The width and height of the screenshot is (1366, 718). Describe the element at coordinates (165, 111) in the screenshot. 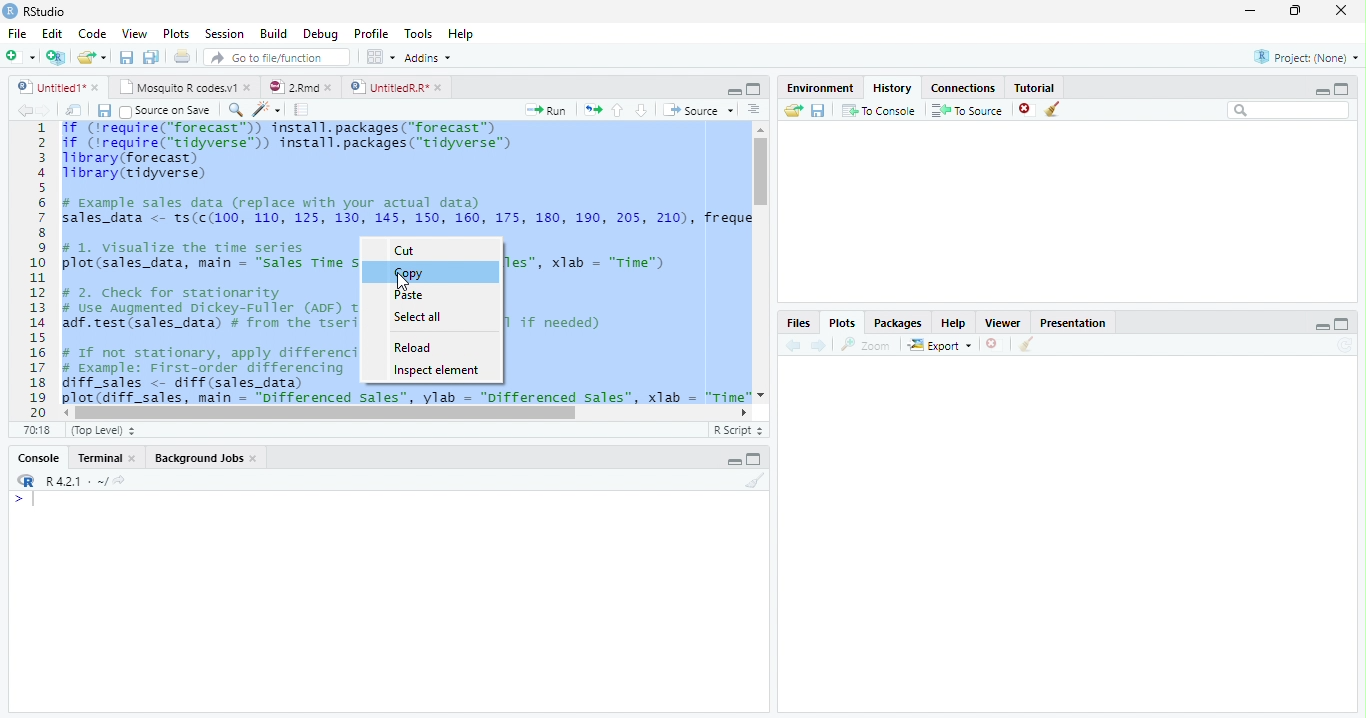

I see `Source on Save` at that location.